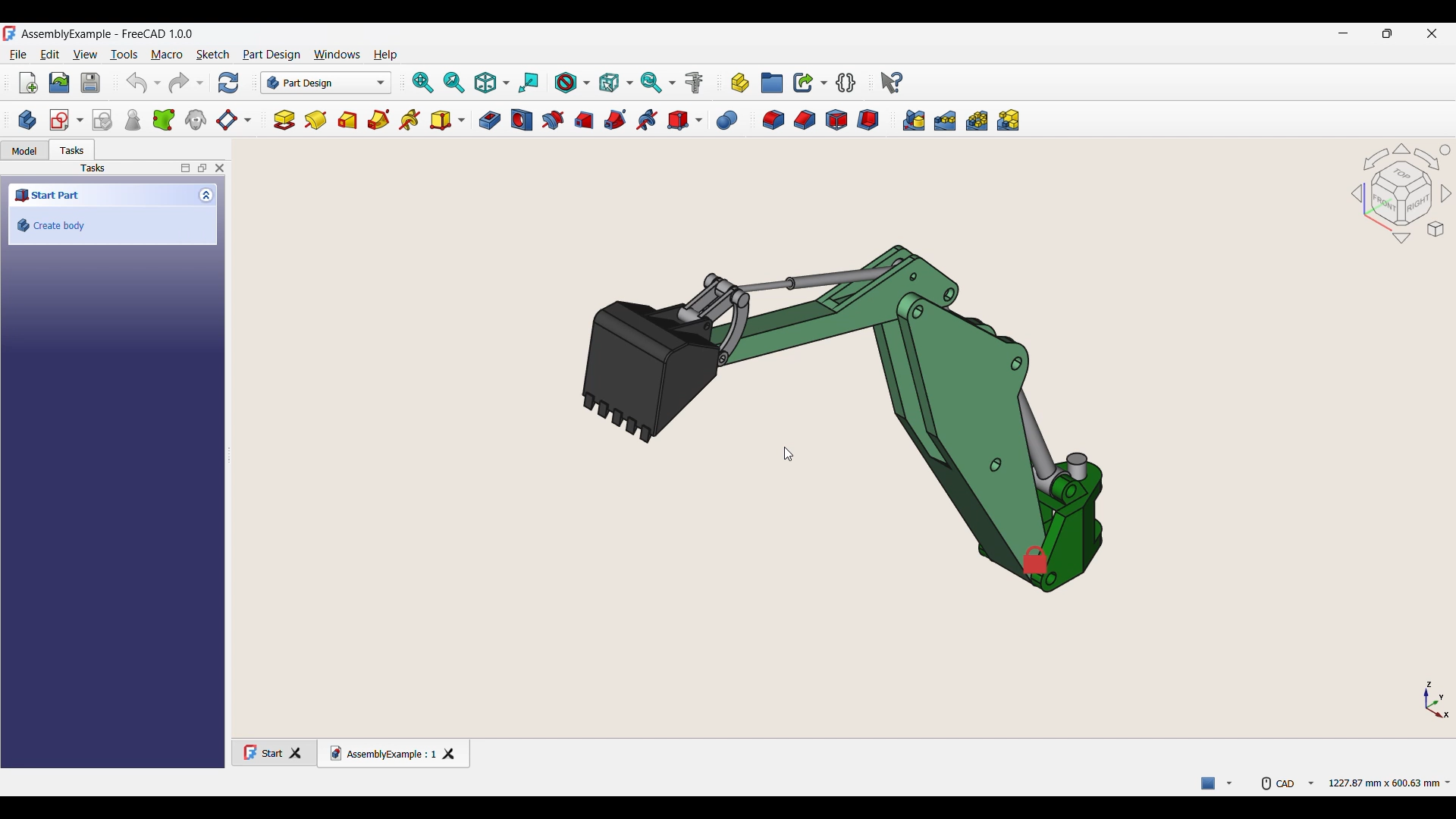 The image size is (1456, 819). I want to click on AssemblyExample : 1, current tab highlighted, so click(379, 751).